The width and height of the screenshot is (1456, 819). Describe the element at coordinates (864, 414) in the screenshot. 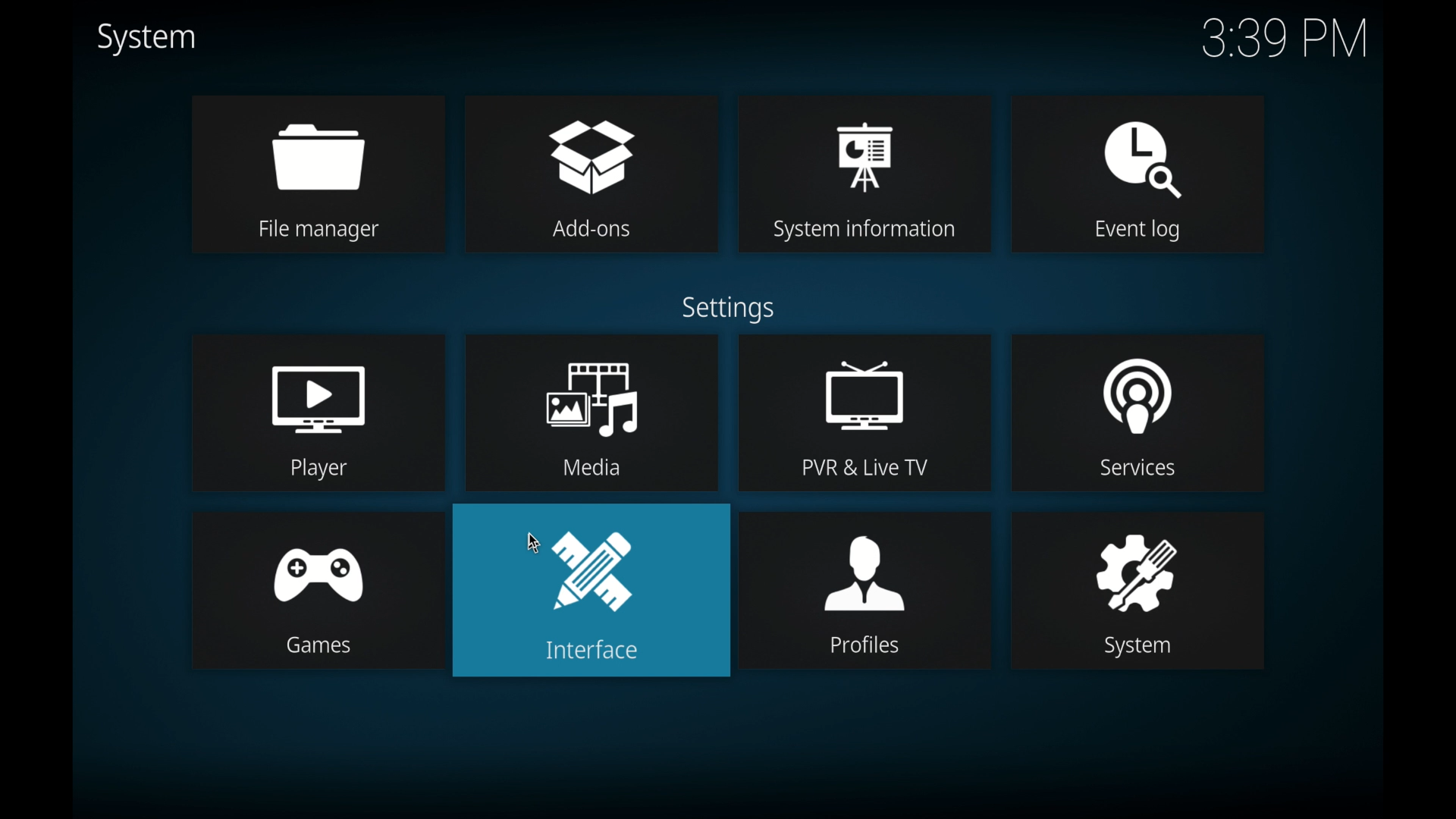

I see `pvr live tv` at that location.